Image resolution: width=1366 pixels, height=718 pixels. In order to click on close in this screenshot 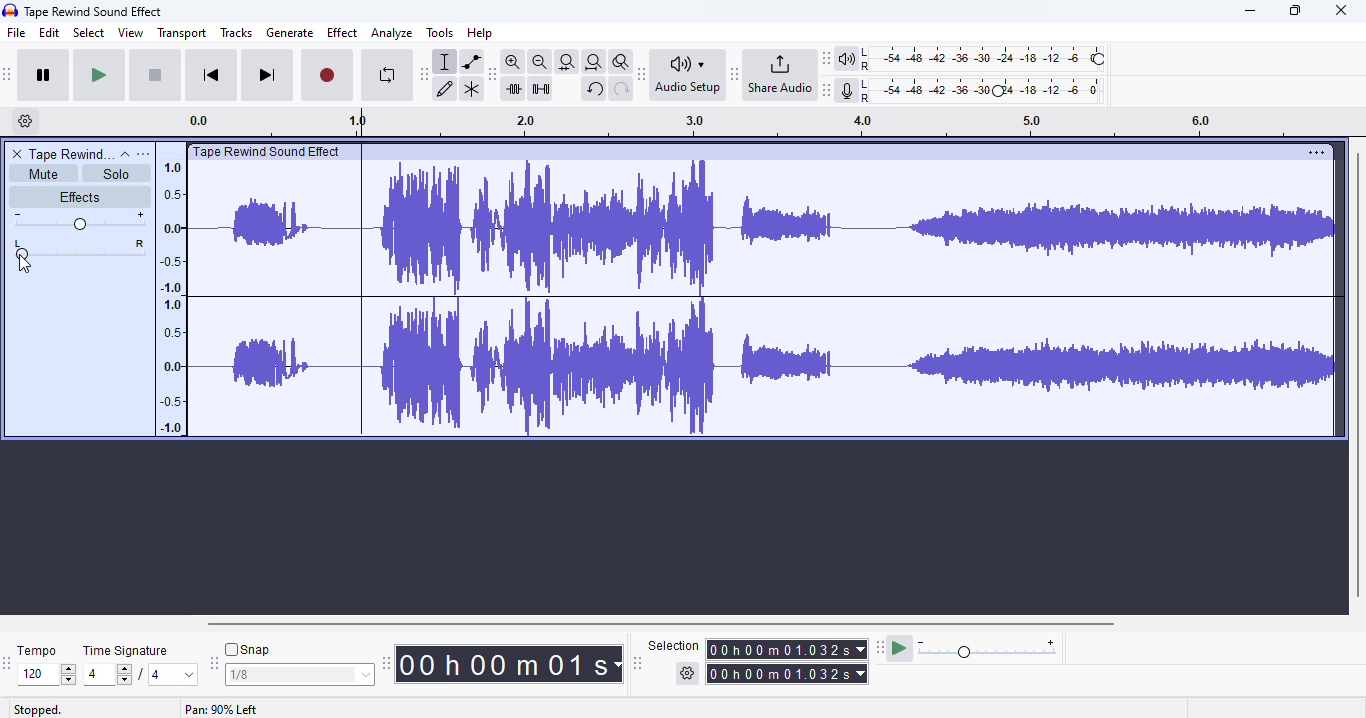, I will do `click(1340, 10)`.